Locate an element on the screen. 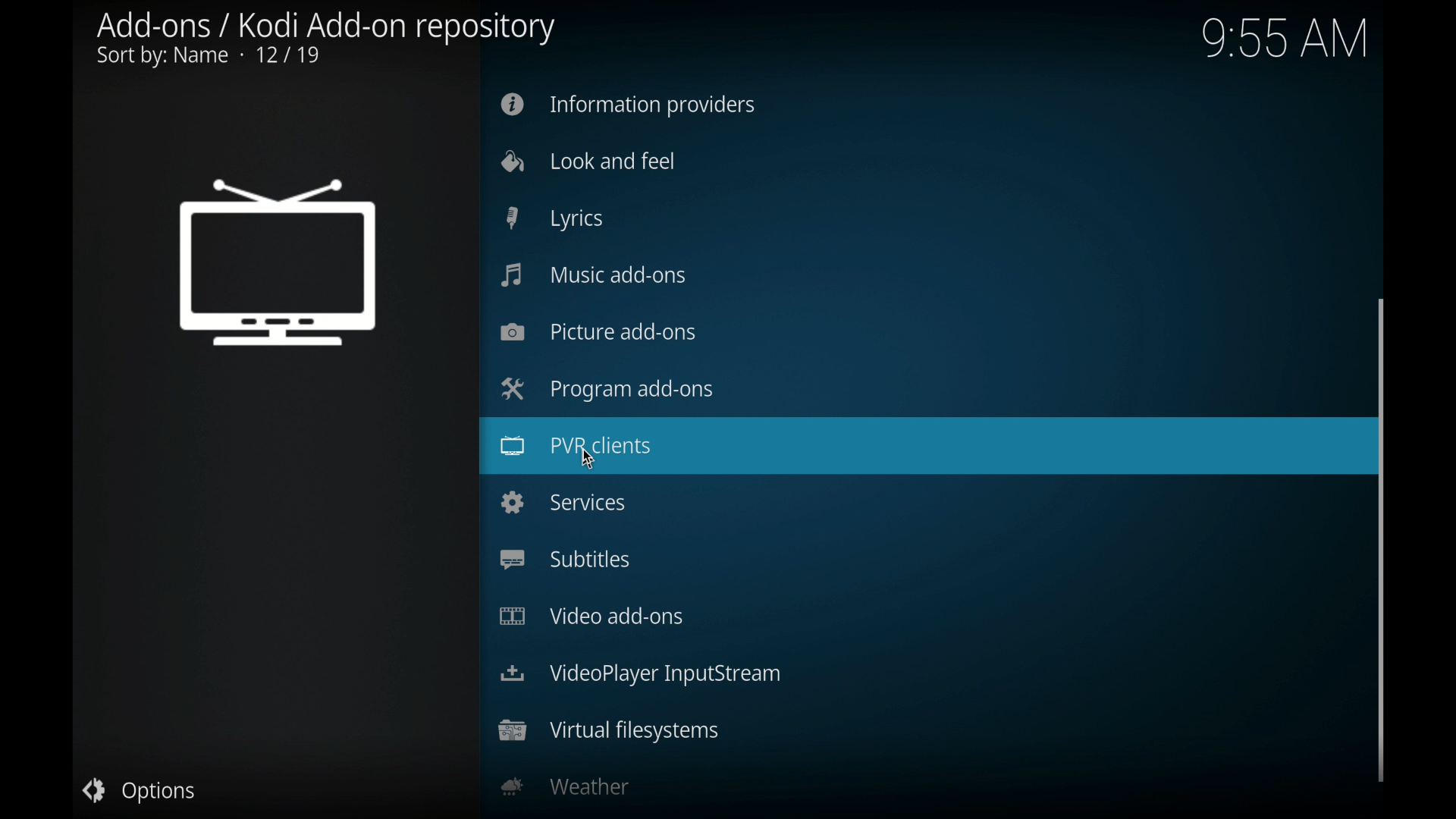 Image resolution: width=1456 pixels, height=819 pixels. videoplayer inputstream is located at coordinates (641, 676).